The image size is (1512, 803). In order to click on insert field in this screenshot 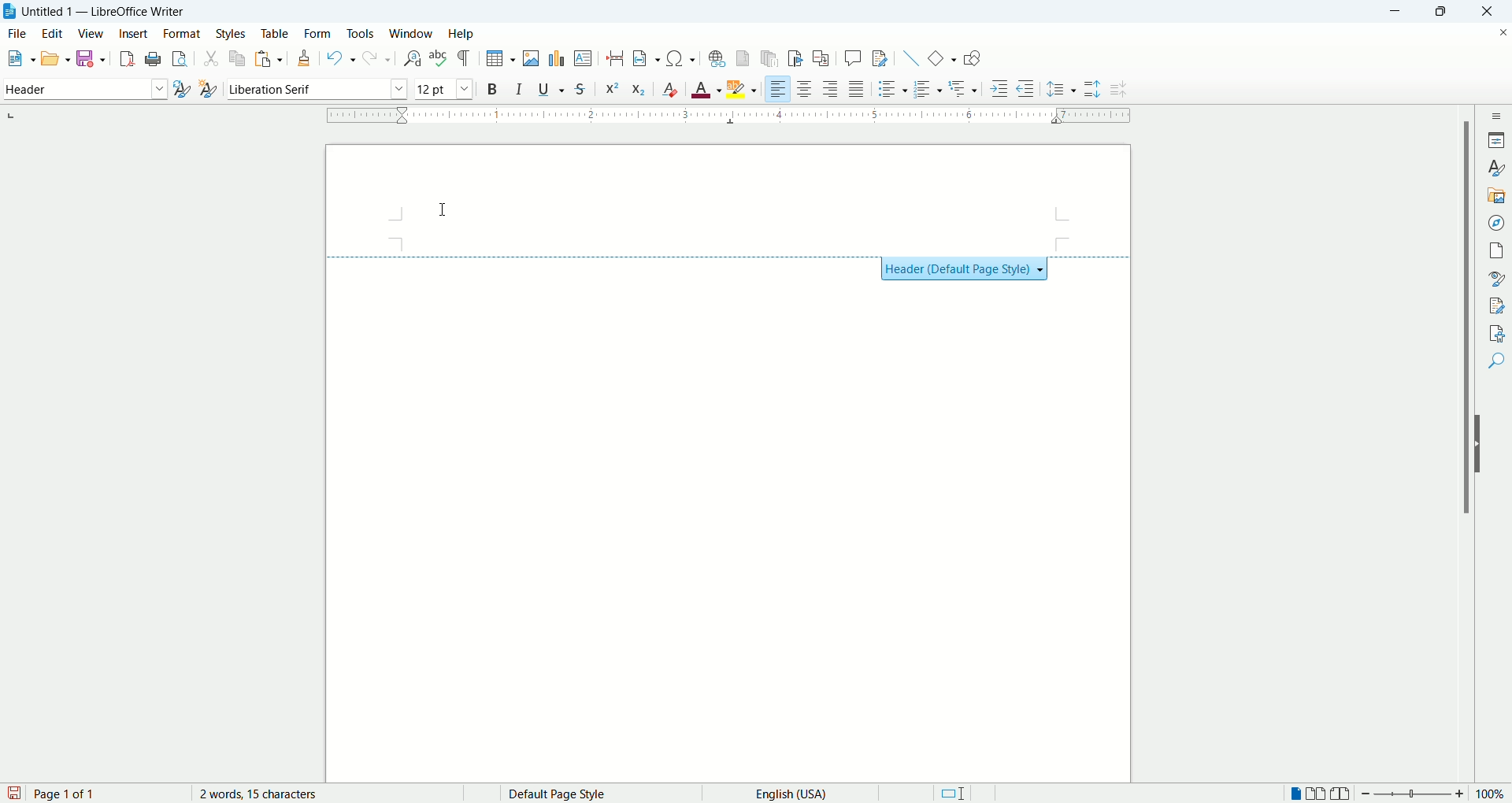, I will do `click(642, 57)`.